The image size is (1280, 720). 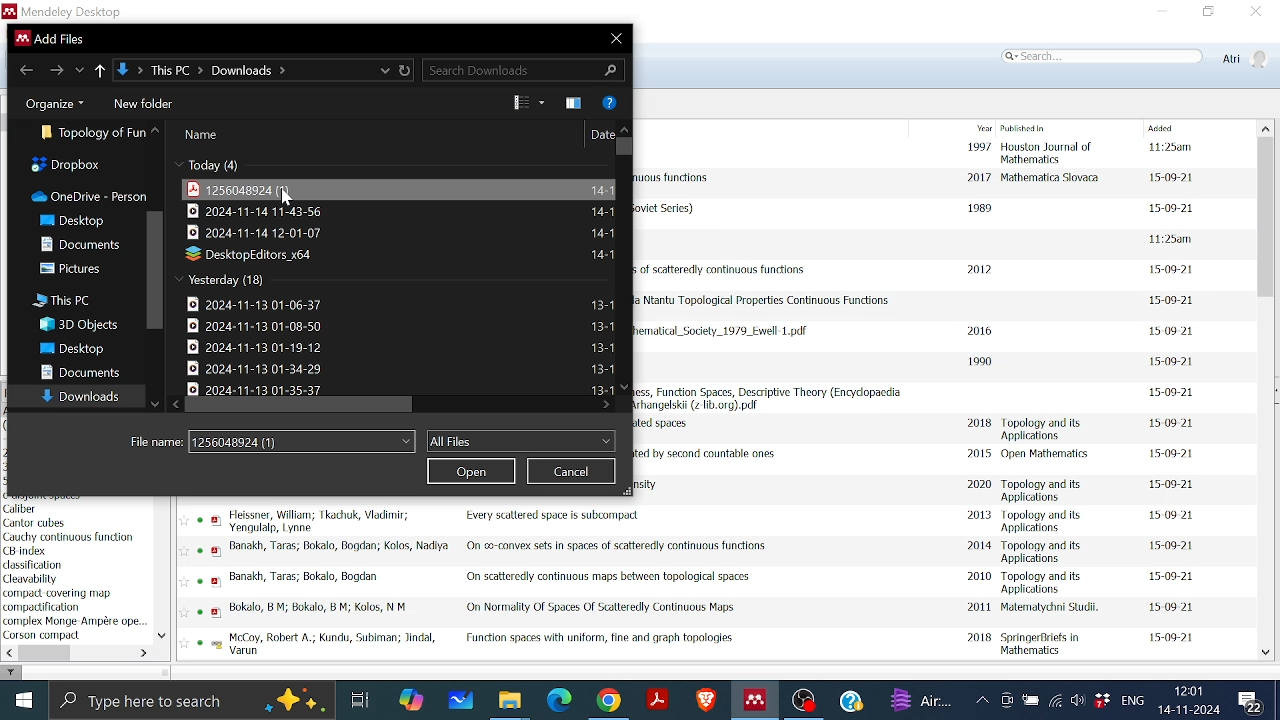 What do you see at coordinates (980, 362) in the screenshot?
I see `1990` at bounding box center [980, 362].